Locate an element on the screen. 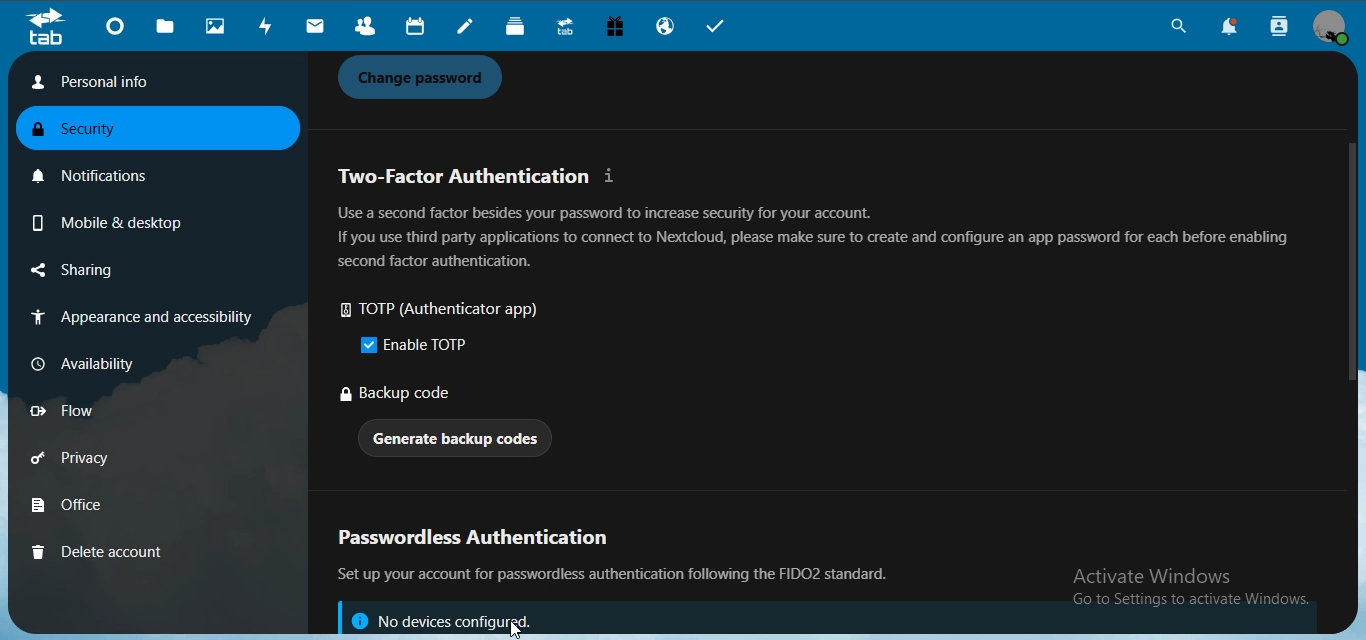 This screenshot has height=640, width=1366. dashboard is located at coordinates (118, 29).